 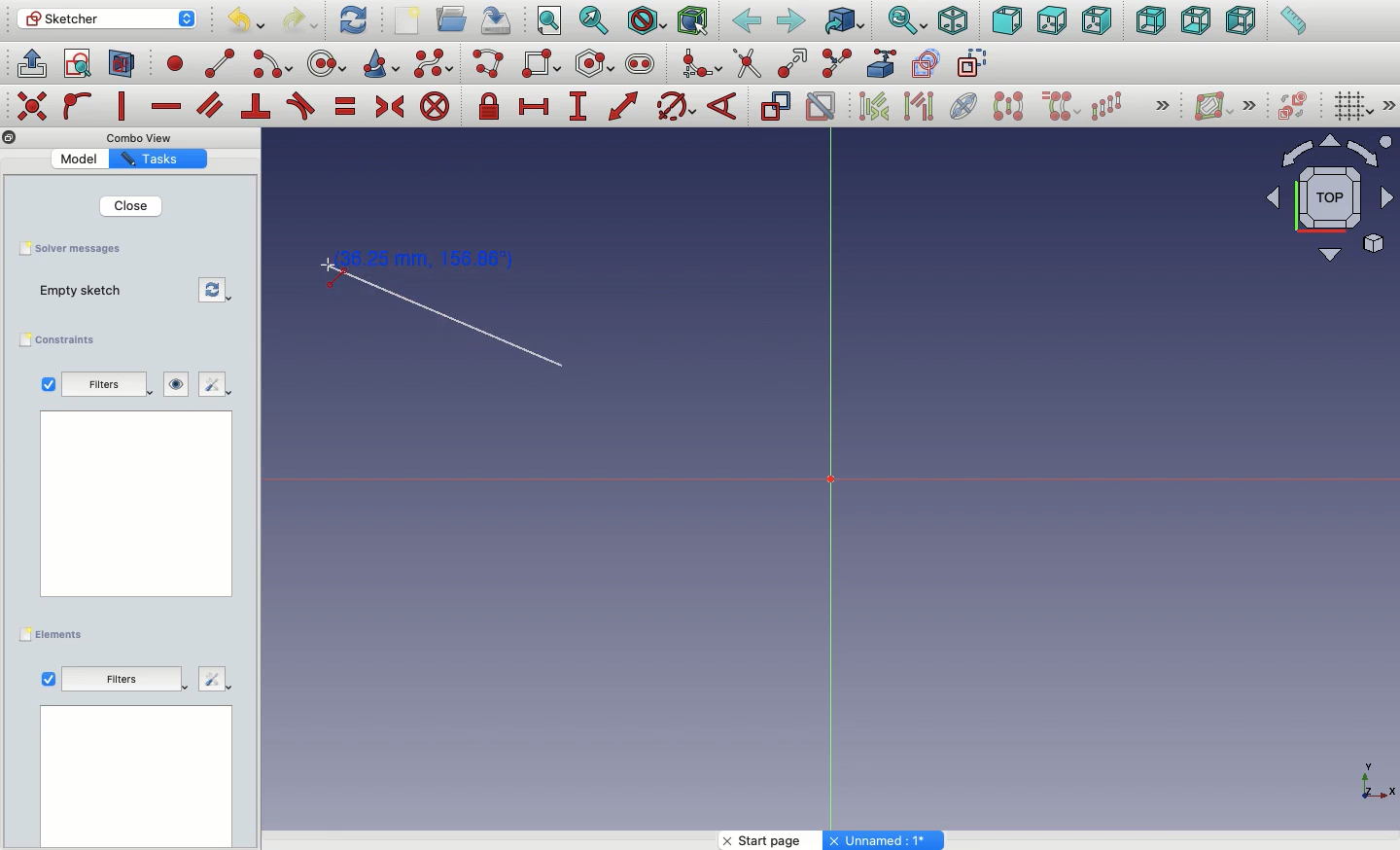 What do you see at coordinates (145, 138) in the screenshot?
I see `` at bounding box center [145, 138].